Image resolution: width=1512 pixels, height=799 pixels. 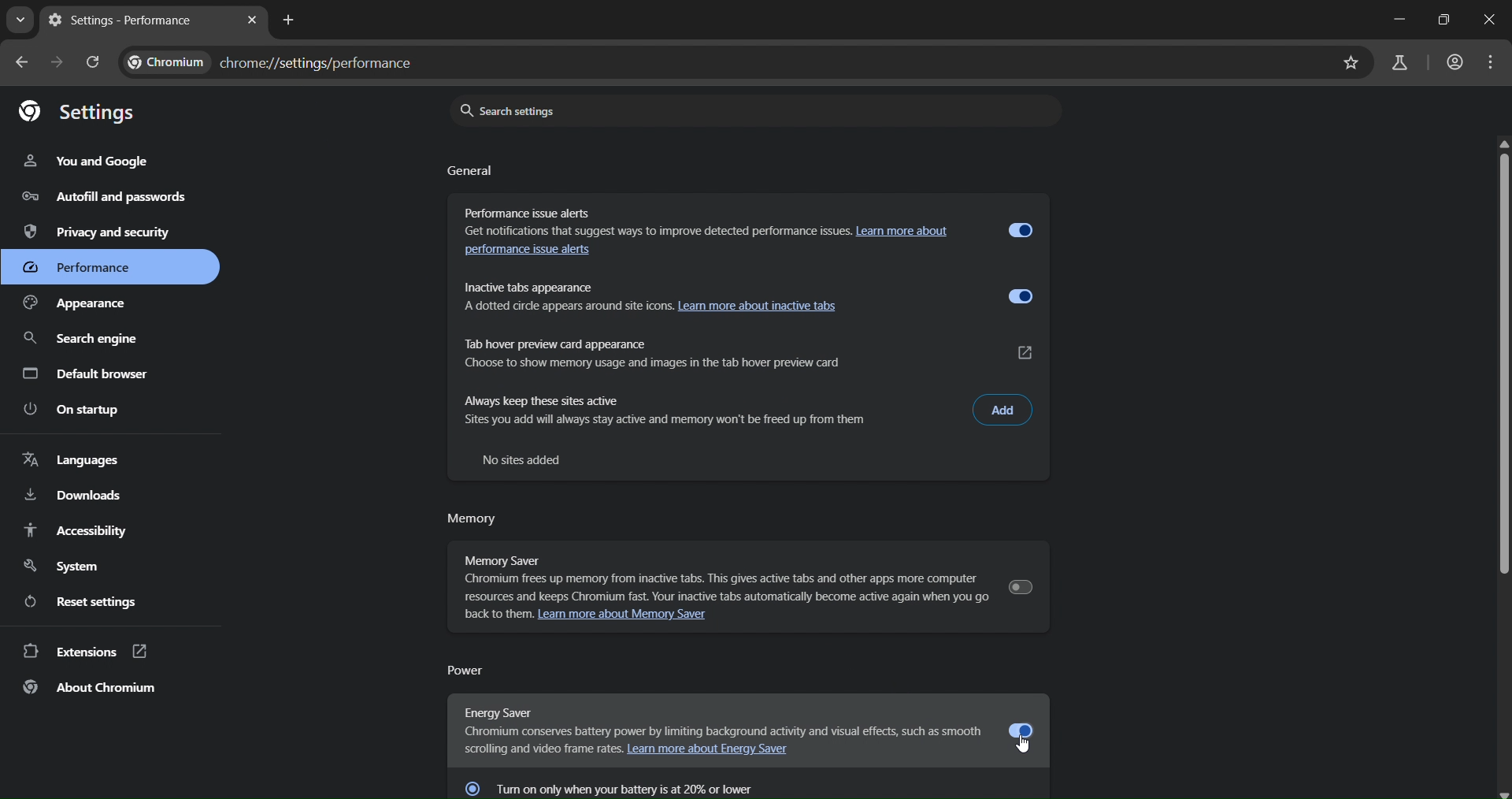 I want to click on close tab, so click(x=254, y=20).